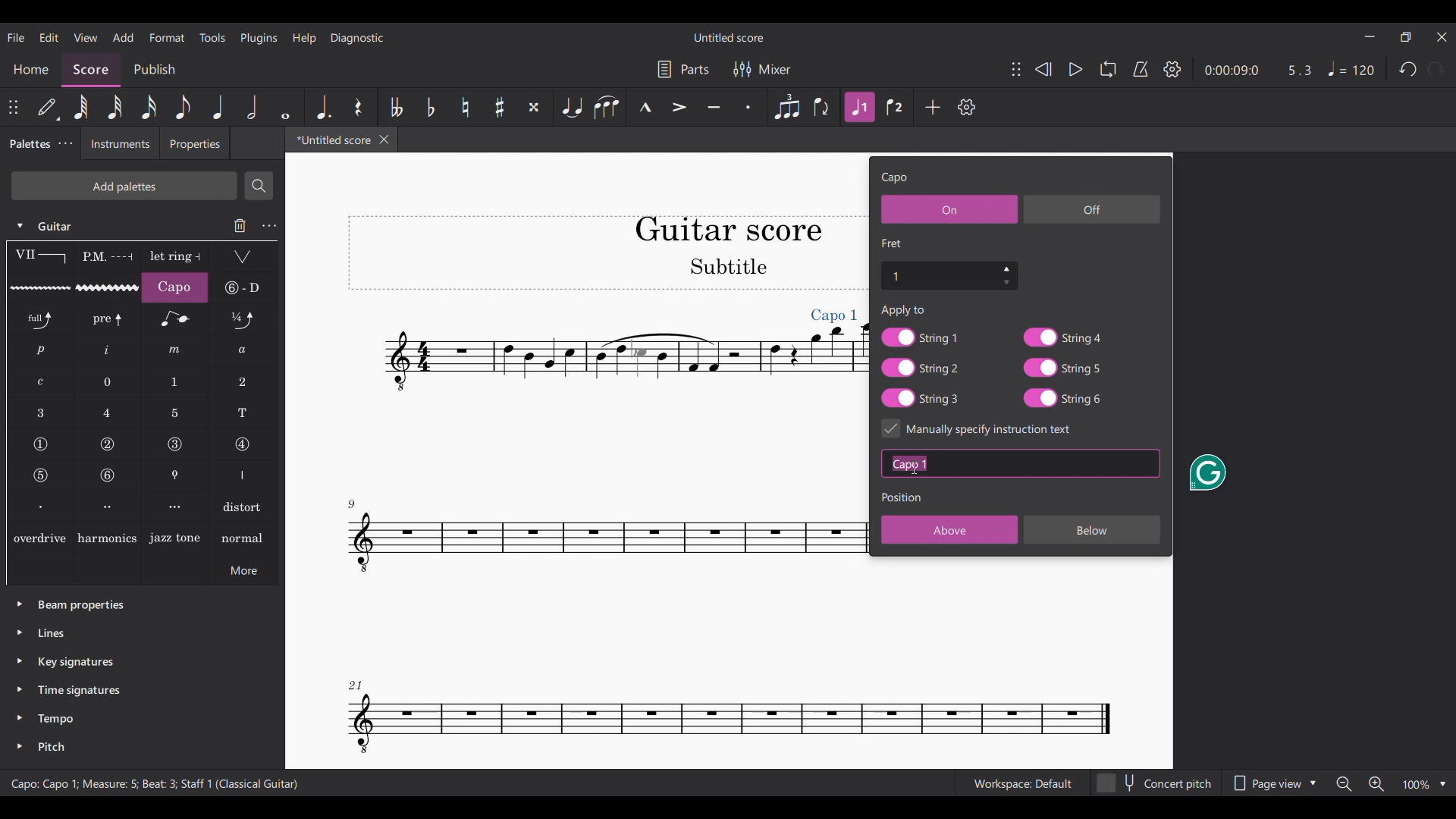  What do you see at coordinates (1062, 368) in the screenshot?
I see `String 5 toggle` at bounding box center [1062, 368].